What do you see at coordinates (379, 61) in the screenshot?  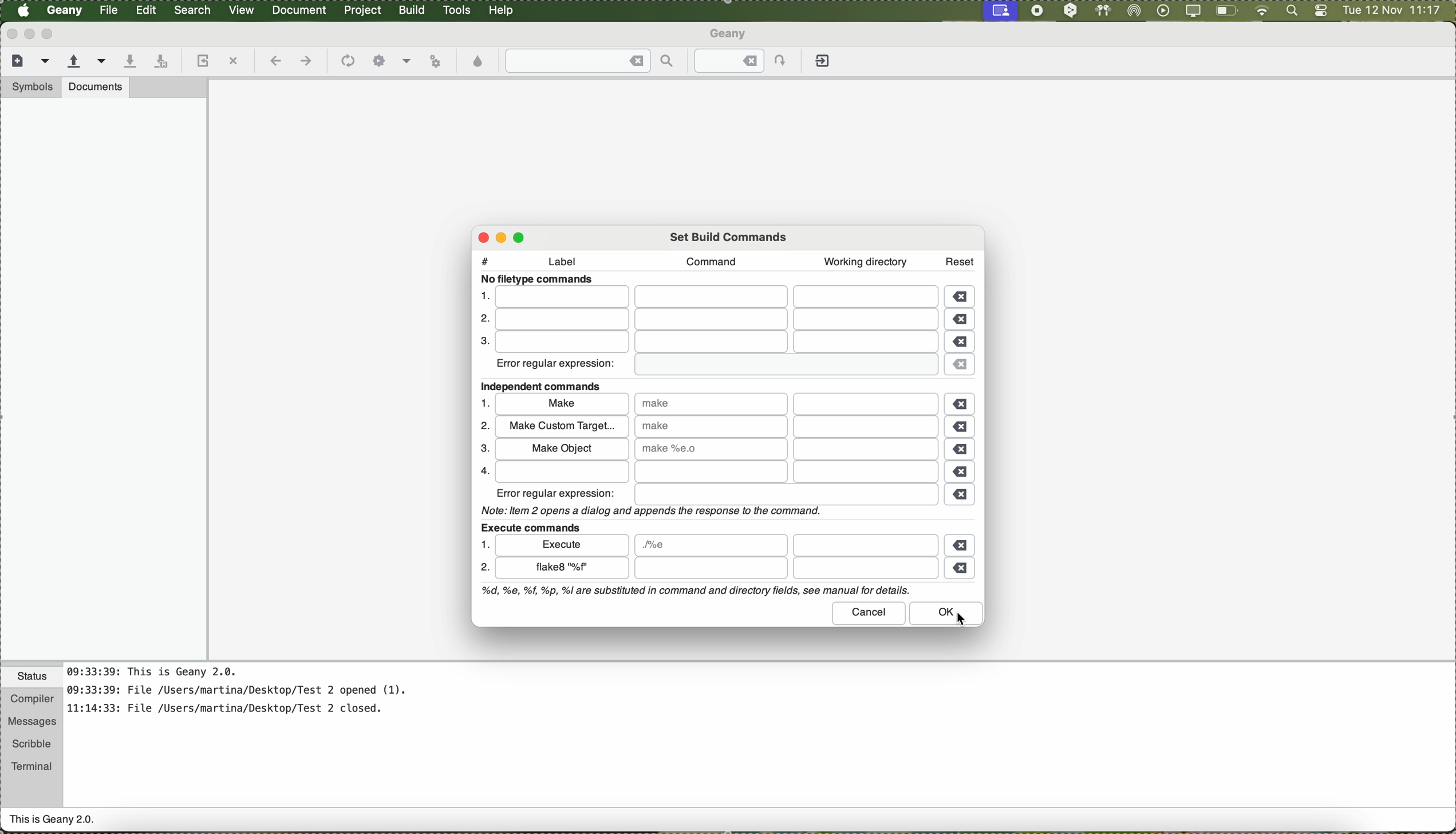 I see `icon` at bounding box center [379, 61].